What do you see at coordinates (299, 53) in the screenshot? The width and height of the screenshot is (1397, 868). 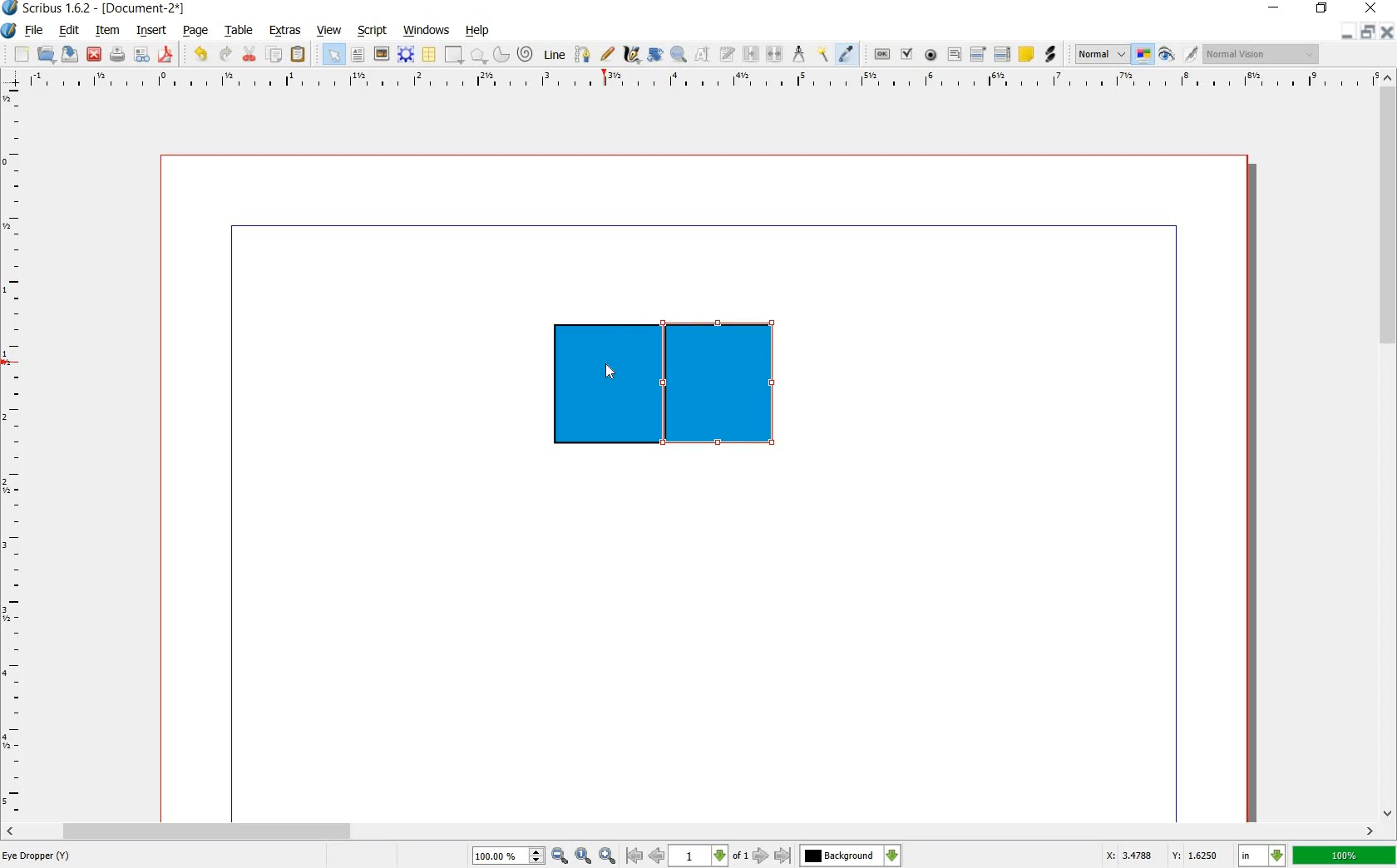 I see `paste` at bounding box center [299, 53].